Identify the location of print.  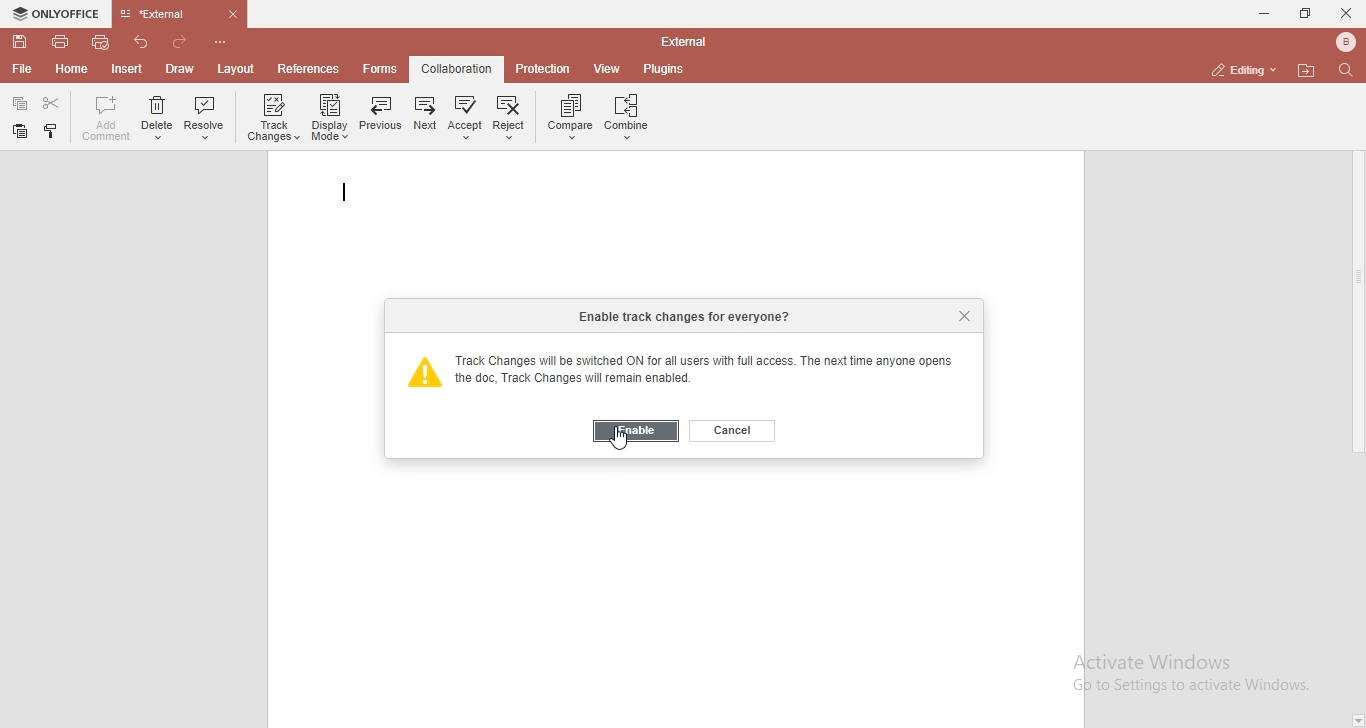
(61, 44).